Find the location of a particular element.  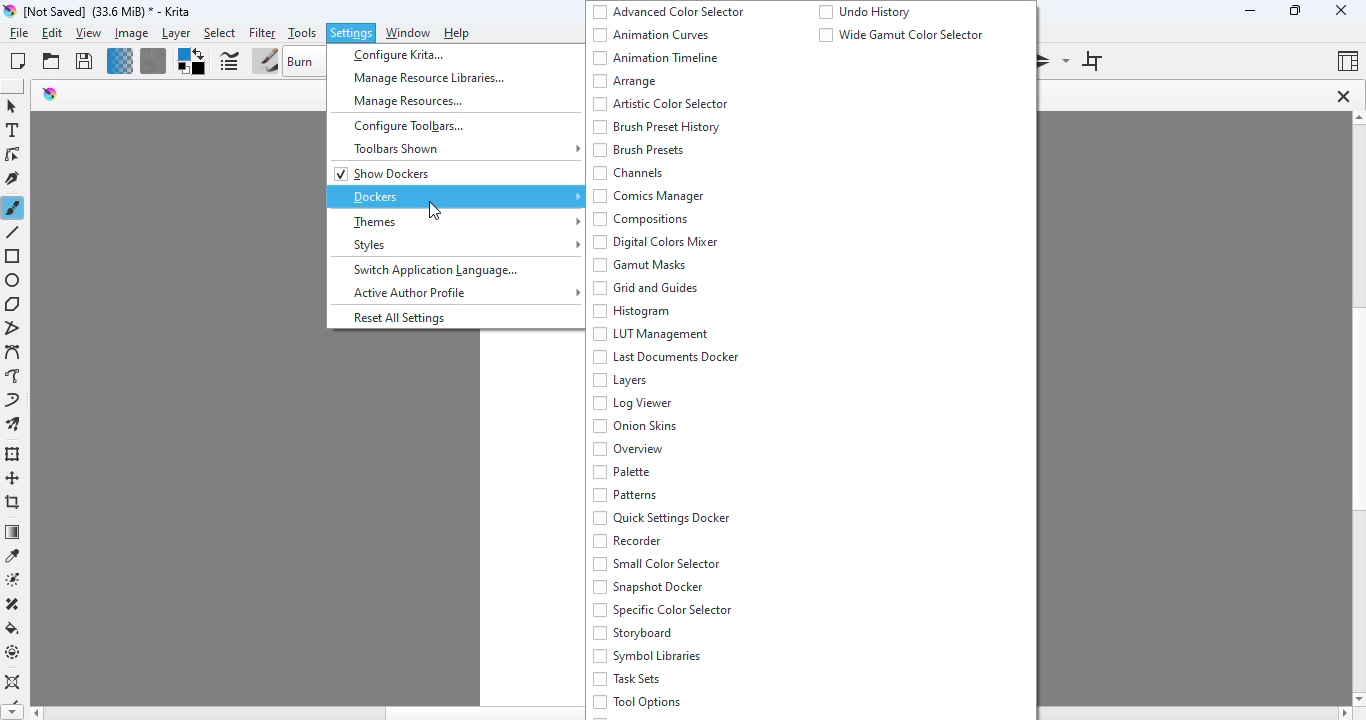

smart color selector is located at coordinates (657, 563).